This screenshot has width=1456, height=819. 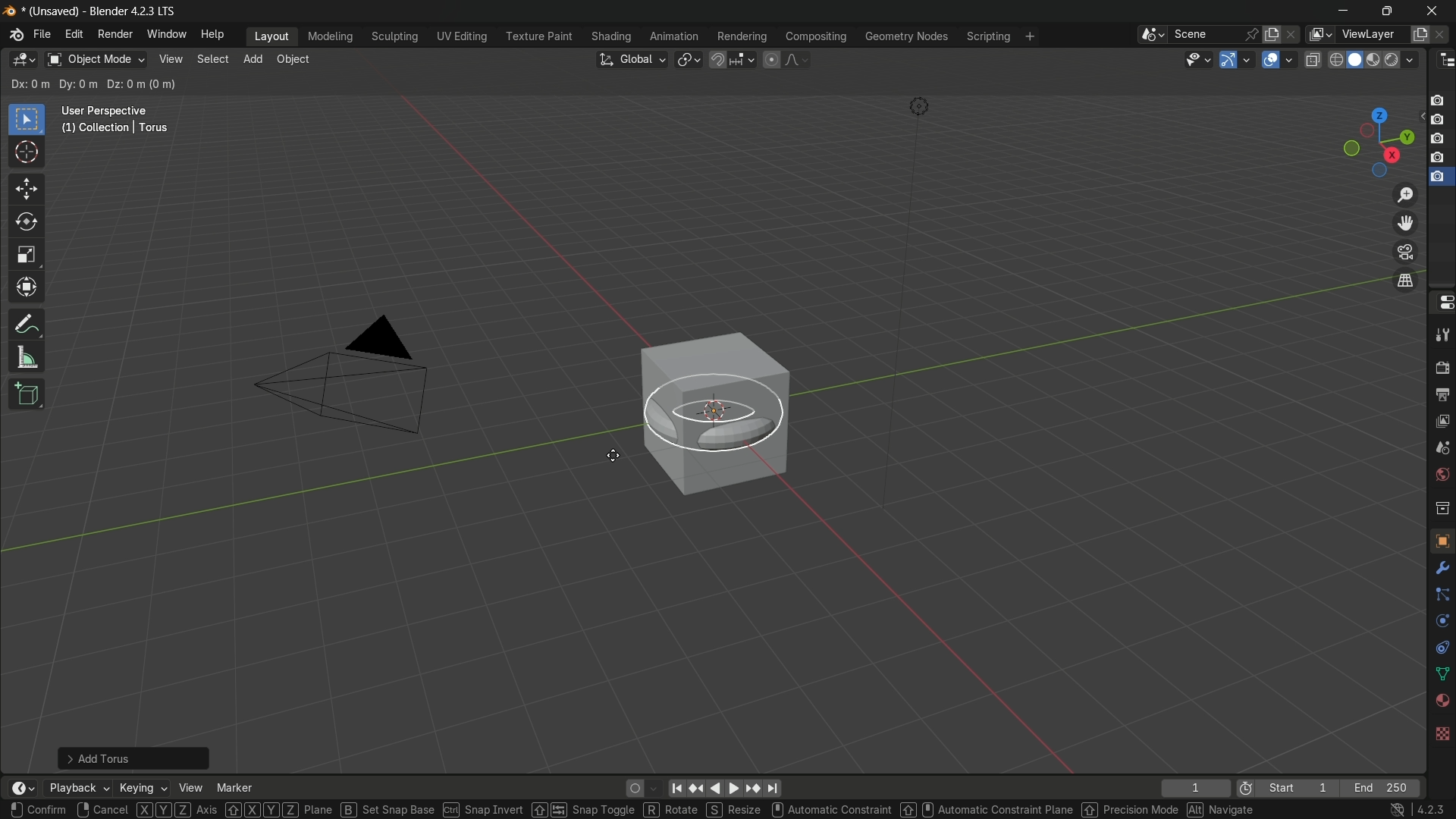 What do you see at coordinates (96, 60) in the screenshot?
I see `object mode` at bounding box center [96, 60].